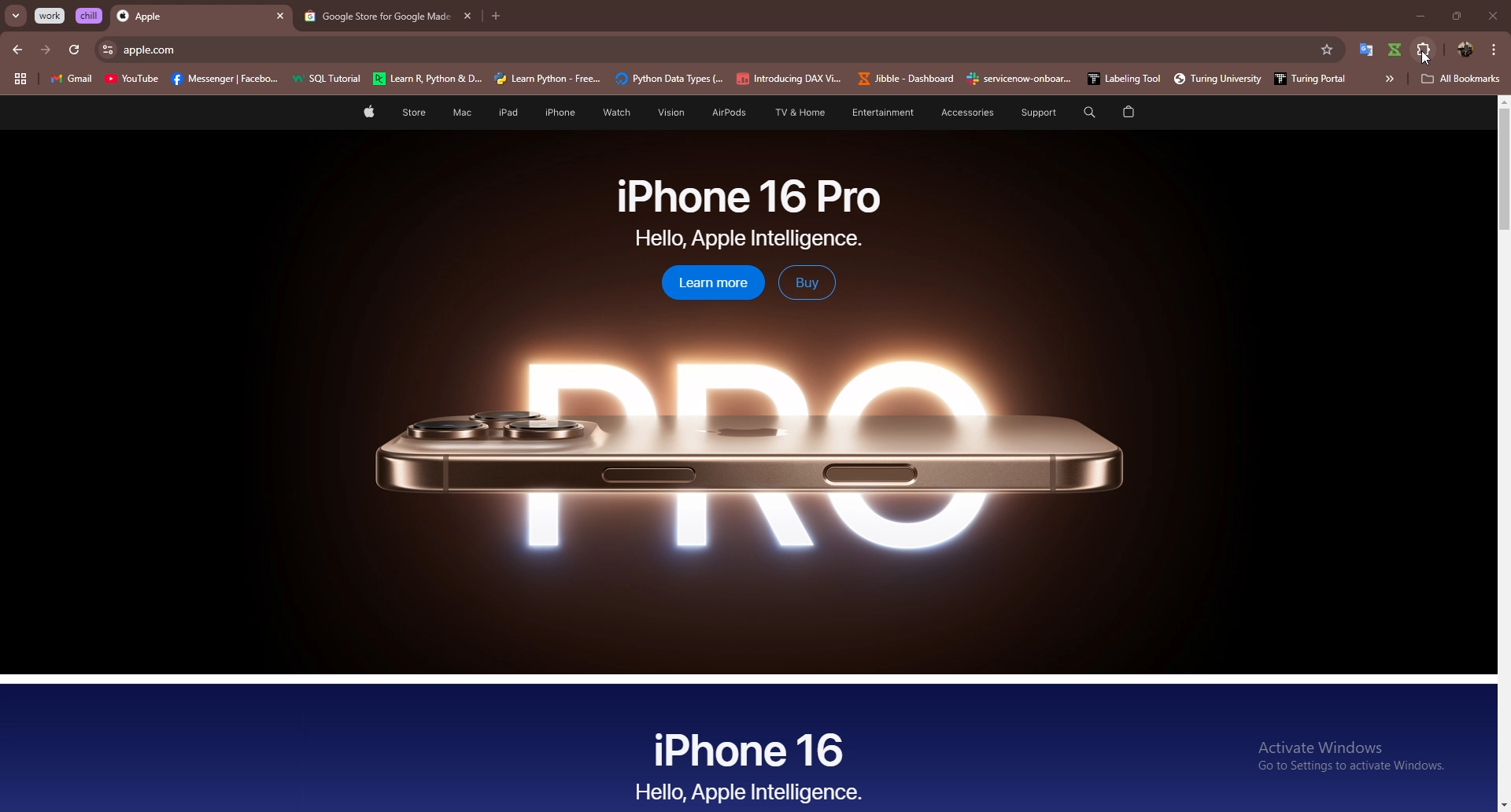 The width and height of the screenshot is (1511, 812). What do you see at coordinates (428, 79) in the screenshot?
I see `Learn R &Pytho` at bounding box center [428, 79].